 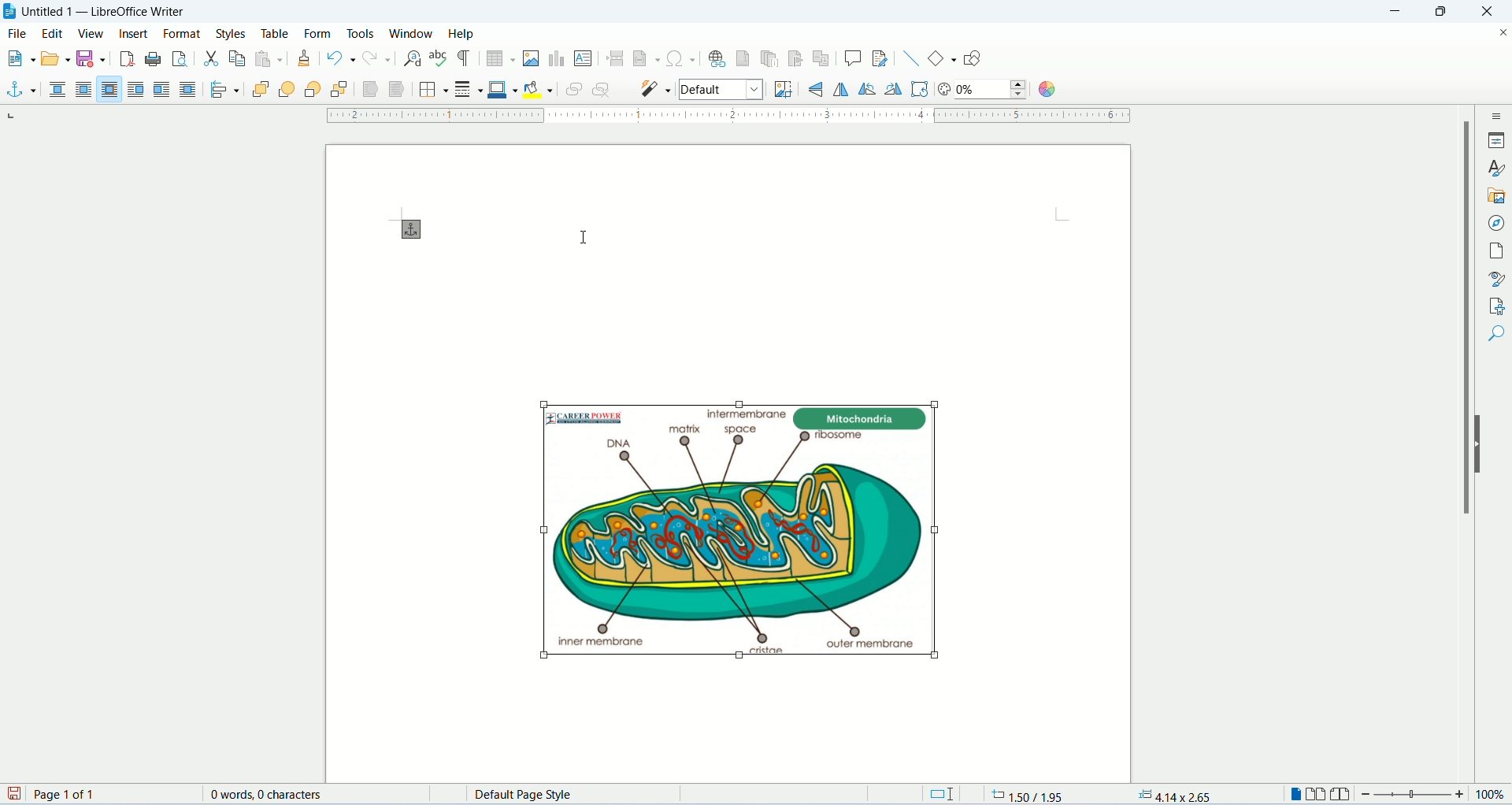 I want to click on find, so click(x=1496, y=362).